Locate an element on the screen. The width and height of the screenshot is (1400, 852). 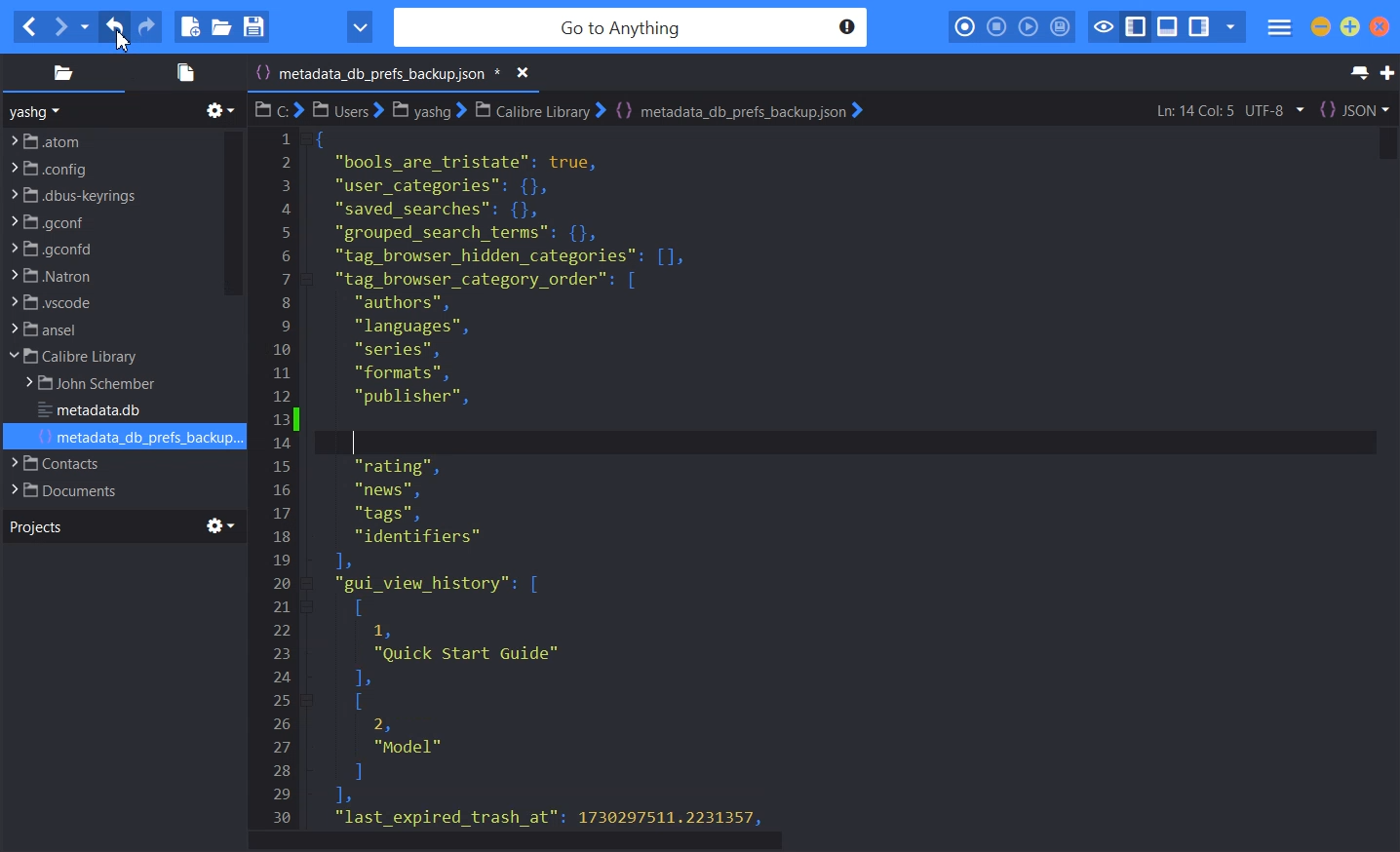
File is located at coordinates (105, 463).